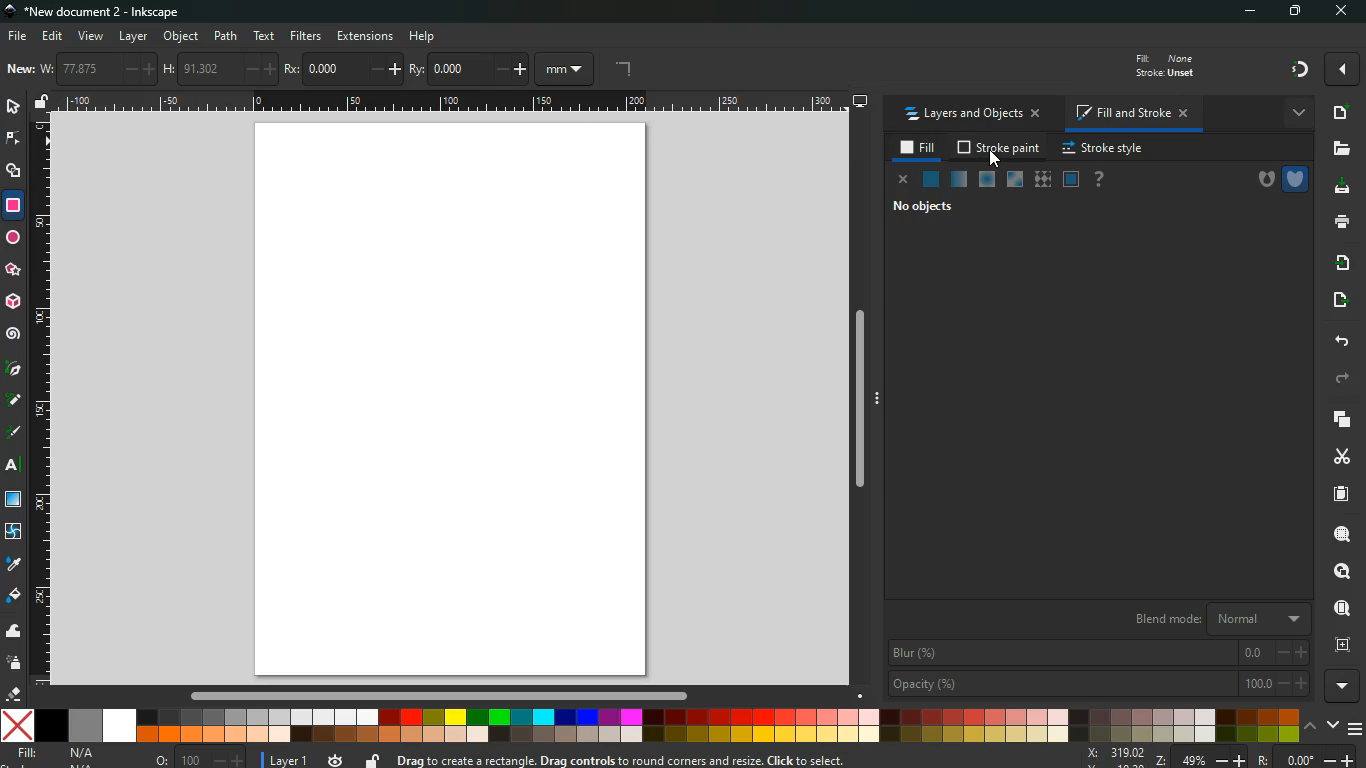  I want to click on more, so click(1344, 69).